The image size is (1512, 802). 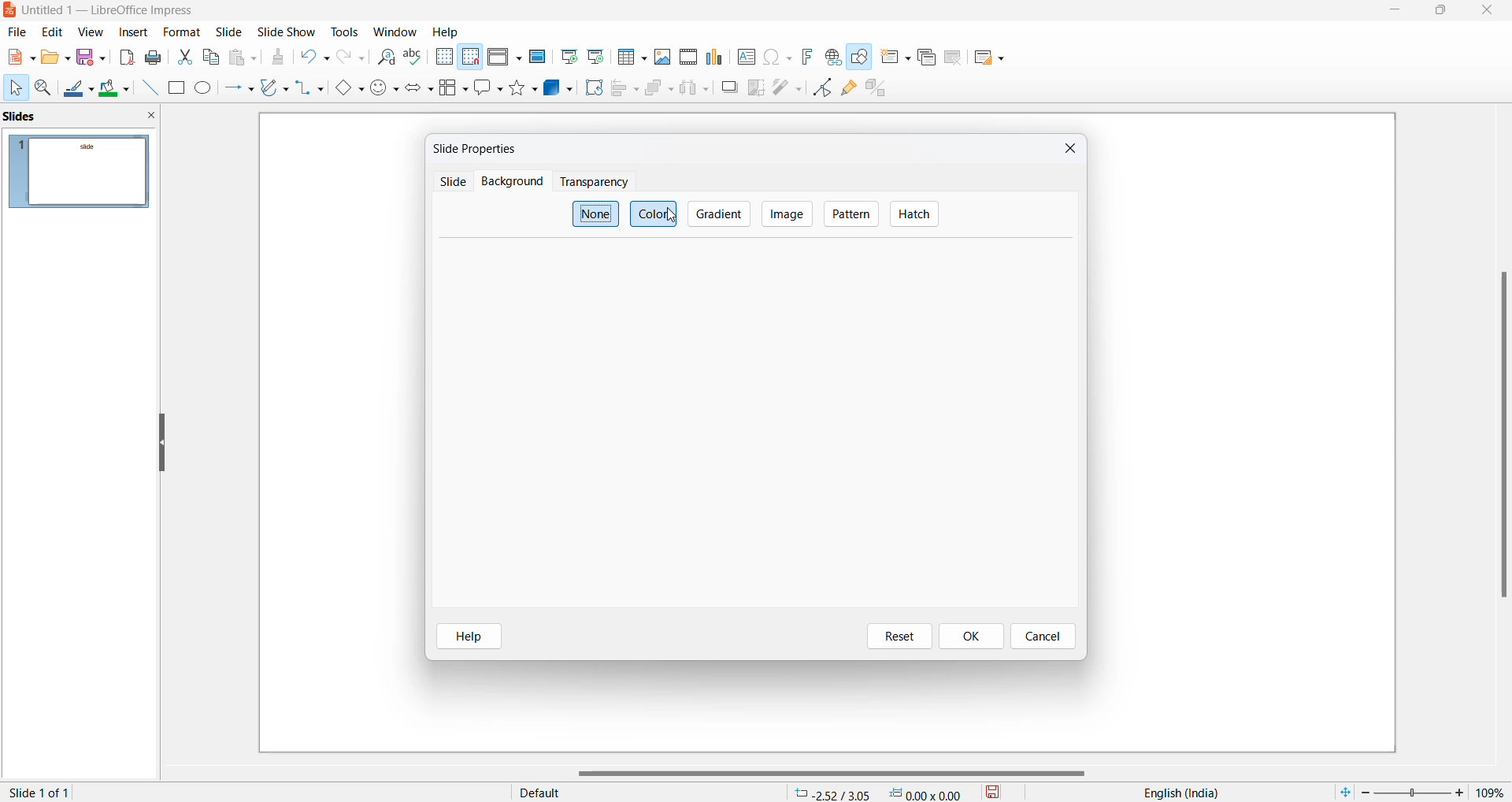 I want to click on help, so click(x=469, y=637).